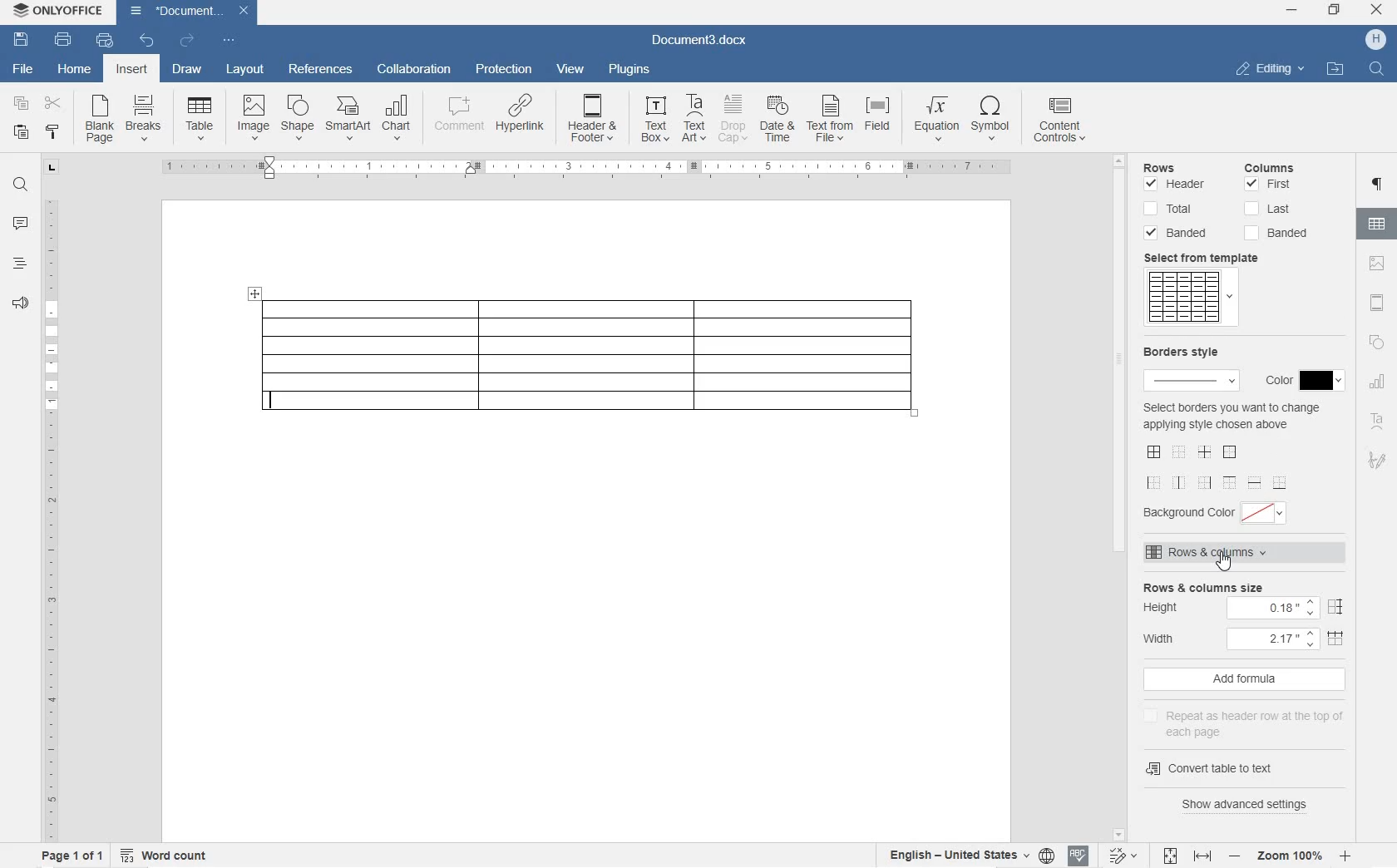  What do you see at coordinates (1177, 169) in the screenshot?
I see `rows` at bounding box center [1177, 169].